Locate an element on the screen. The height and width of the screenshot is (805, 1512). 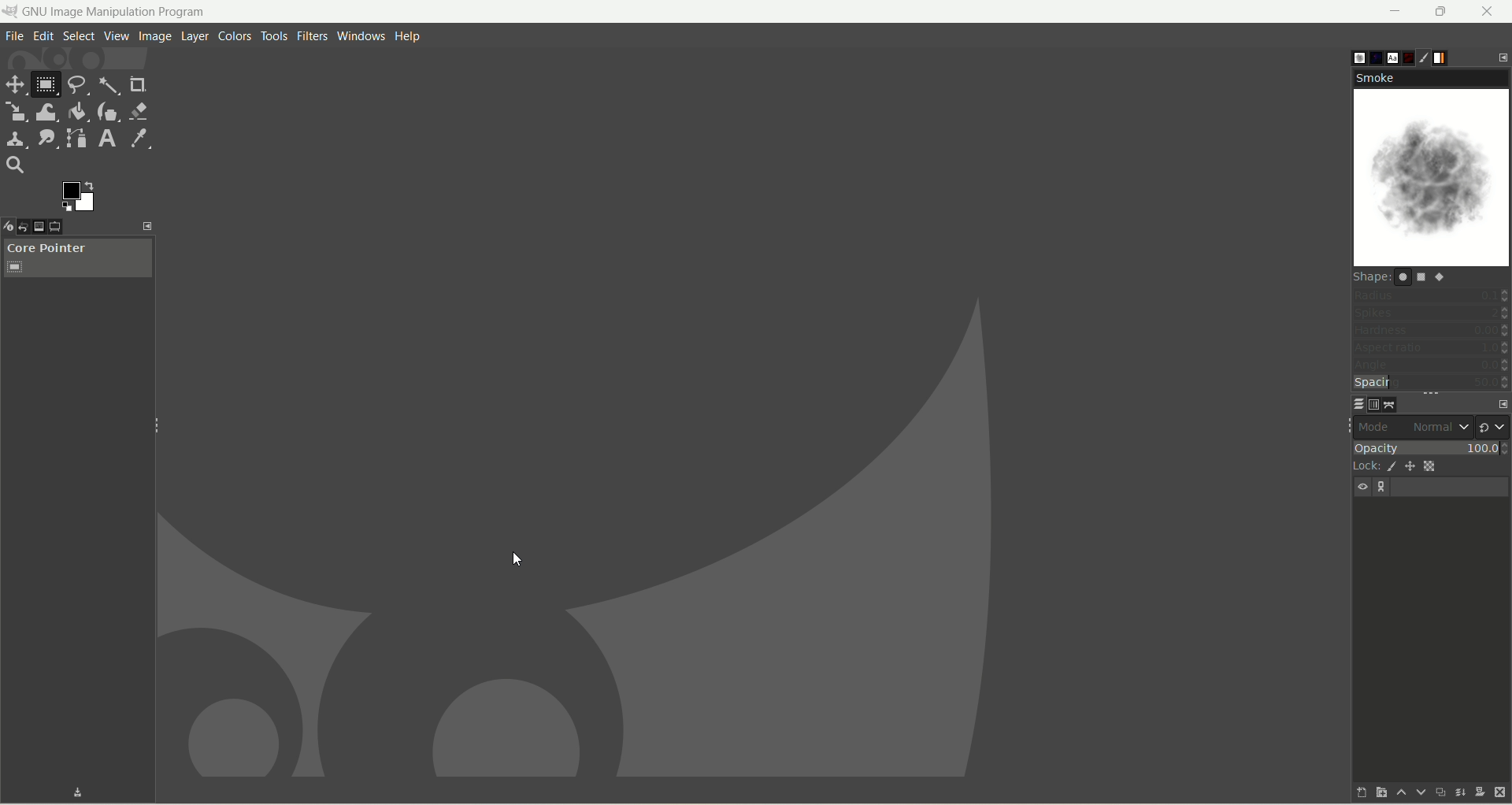
brush editor is located at coordinates (1431, 58).